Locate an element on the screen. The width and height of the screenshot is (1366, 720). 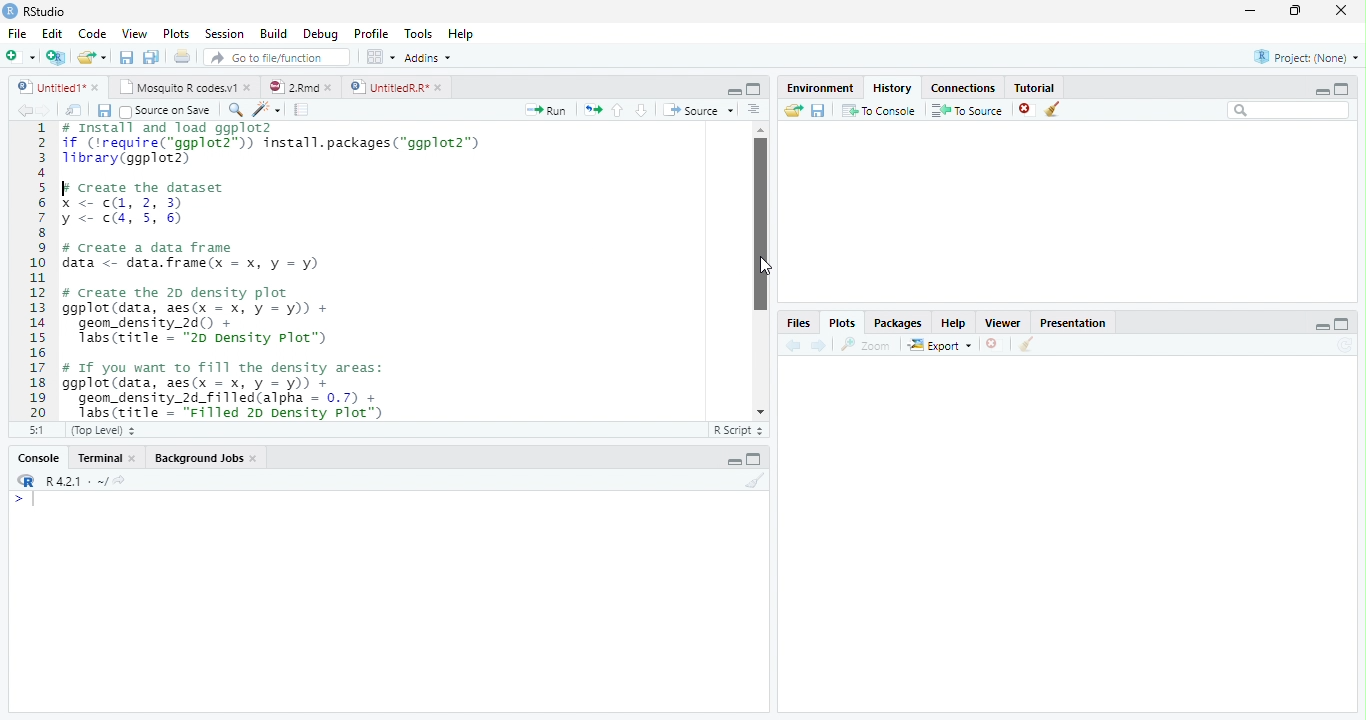
Create a project is located at coordinates (55, 57).